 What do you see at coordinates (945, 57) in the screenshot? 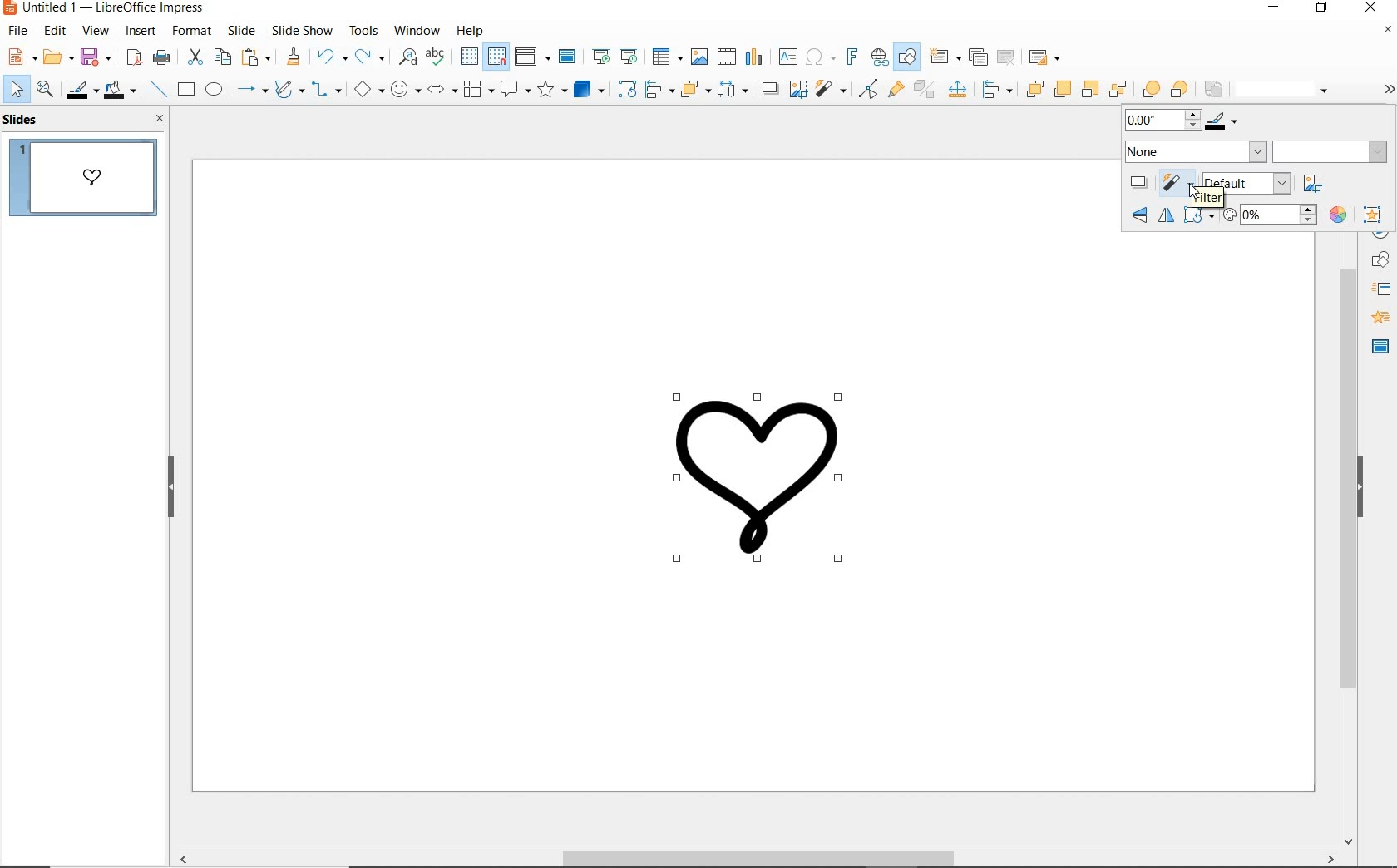
I see `new slide` at bounding box center [945, 57].